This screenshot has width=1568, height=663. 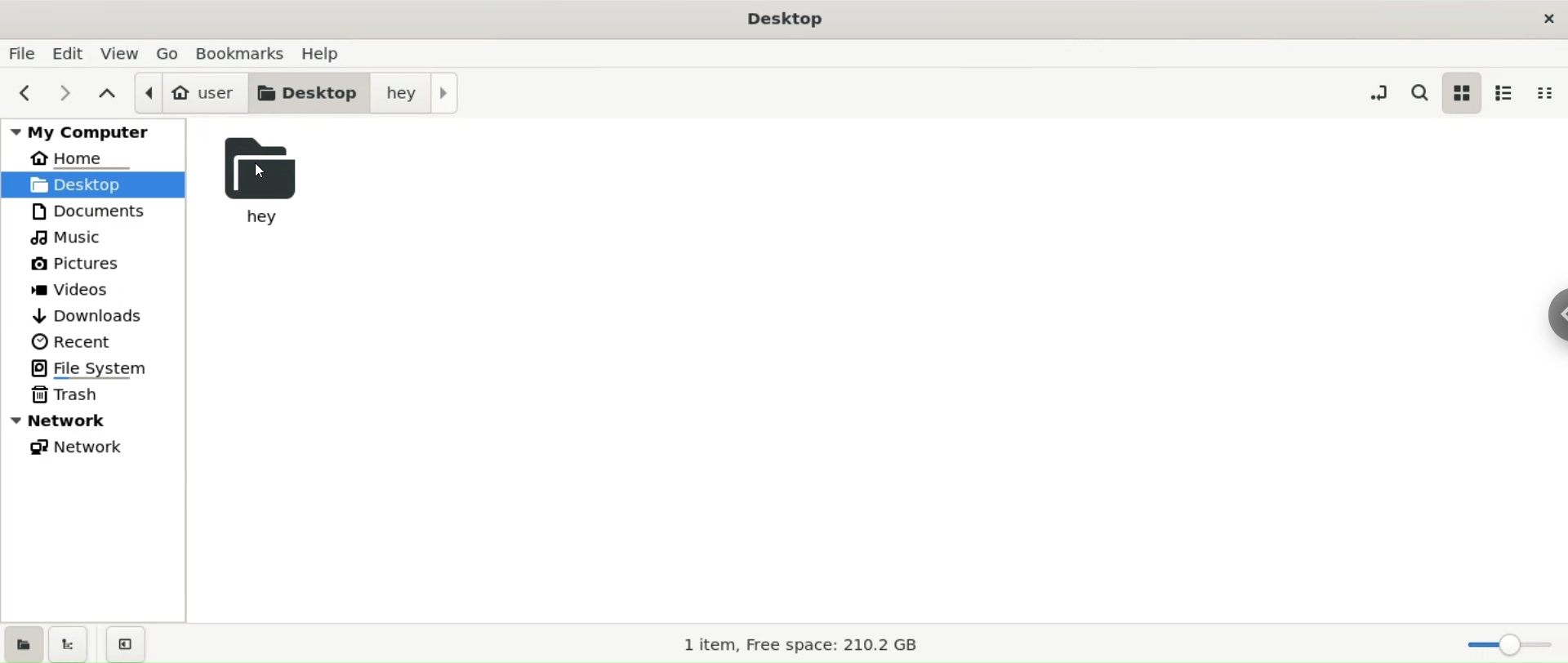 I want to click on my computer, so click(x=94, y=132).